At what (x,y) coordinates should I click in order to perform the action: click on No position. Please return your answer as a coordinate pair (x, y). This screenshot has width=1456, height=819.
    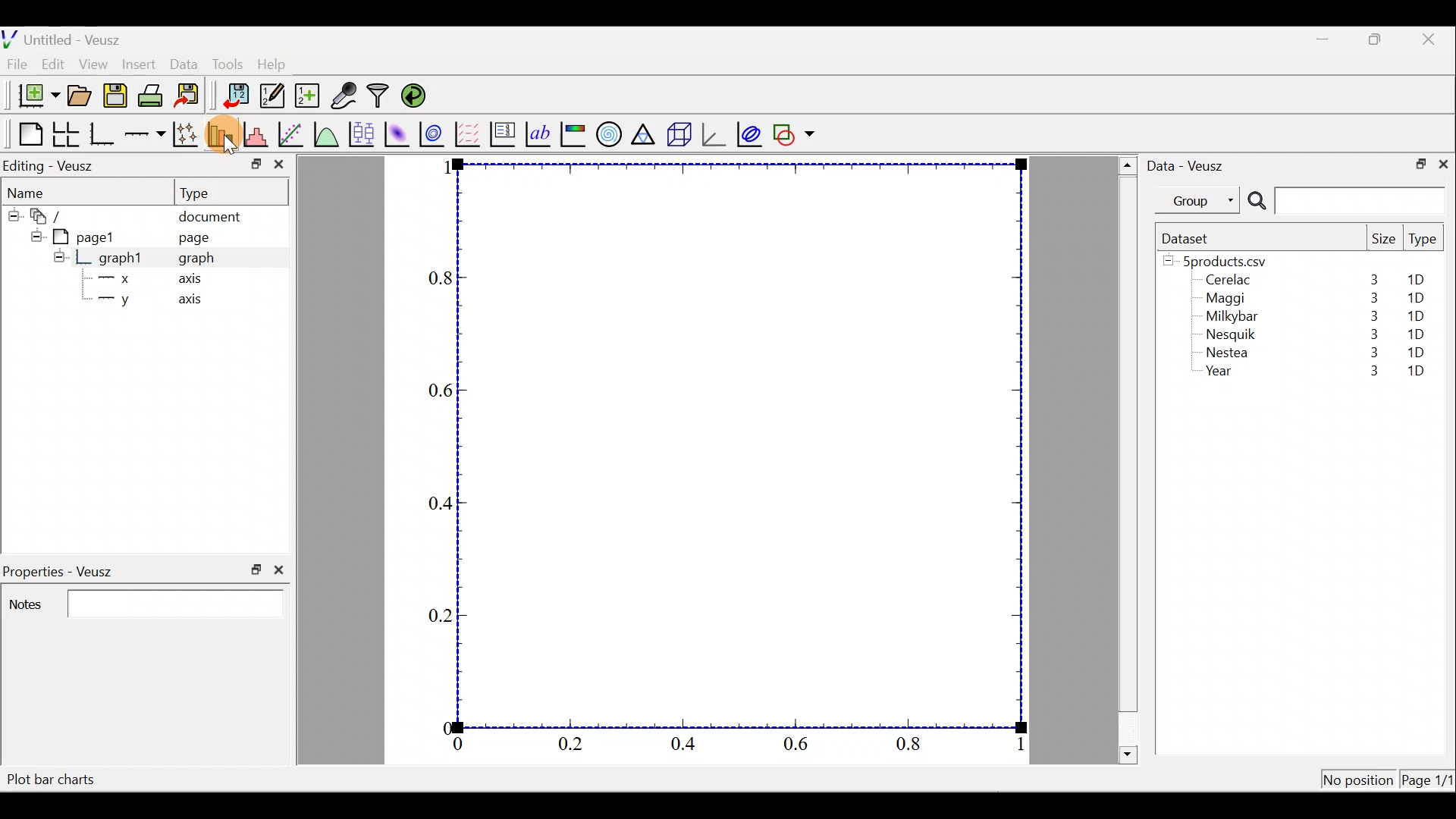
    Looking at the image, I should click on (1359, 781).